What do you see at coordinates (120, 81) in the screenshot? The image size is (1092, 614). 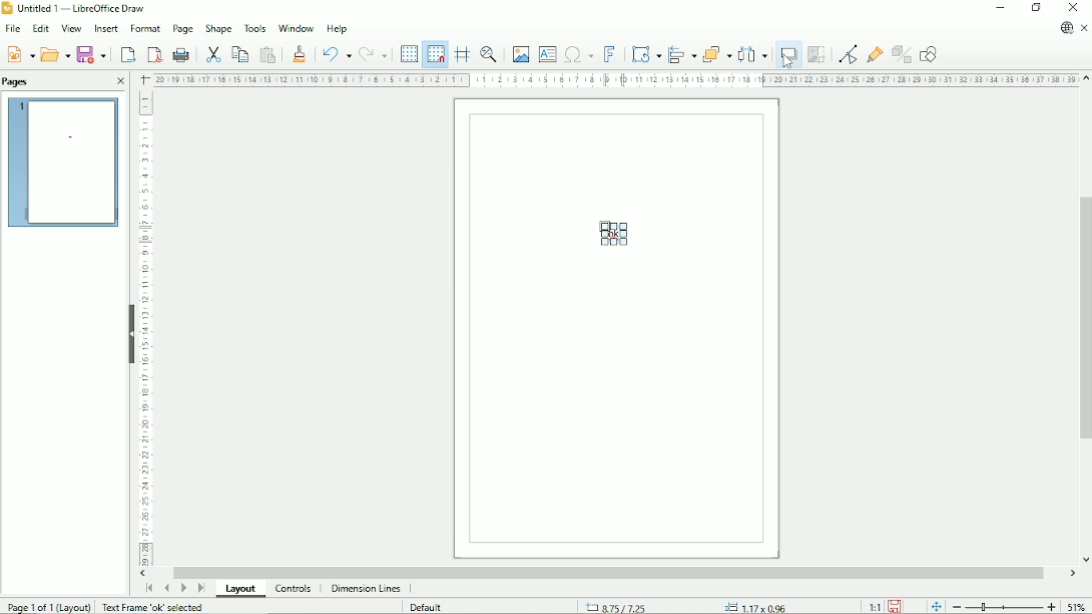 I see `Close` at bounding box center [120, 81].